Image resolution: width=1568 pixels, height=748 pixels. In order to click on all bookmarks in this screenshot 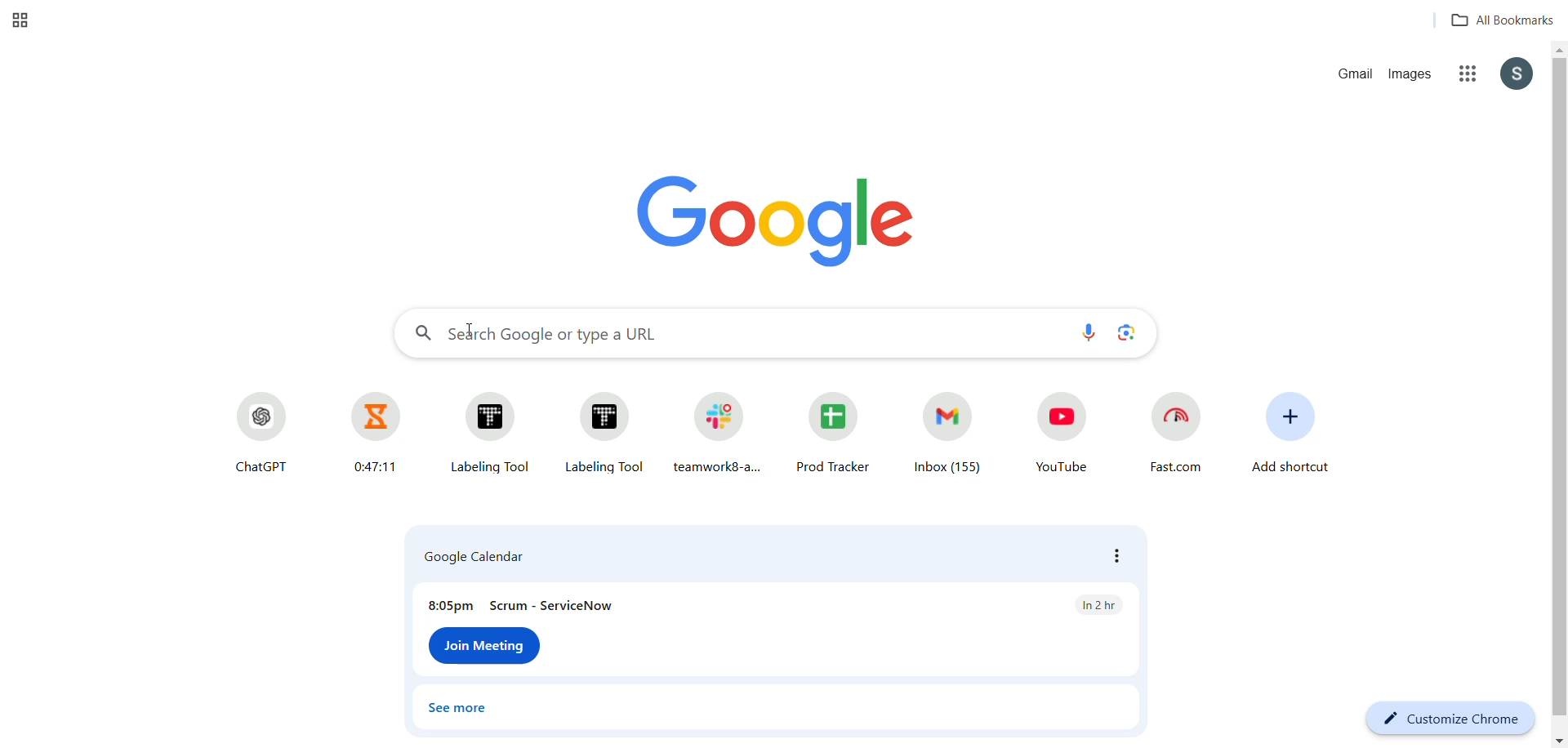, I will do `click(1495, 21)`.